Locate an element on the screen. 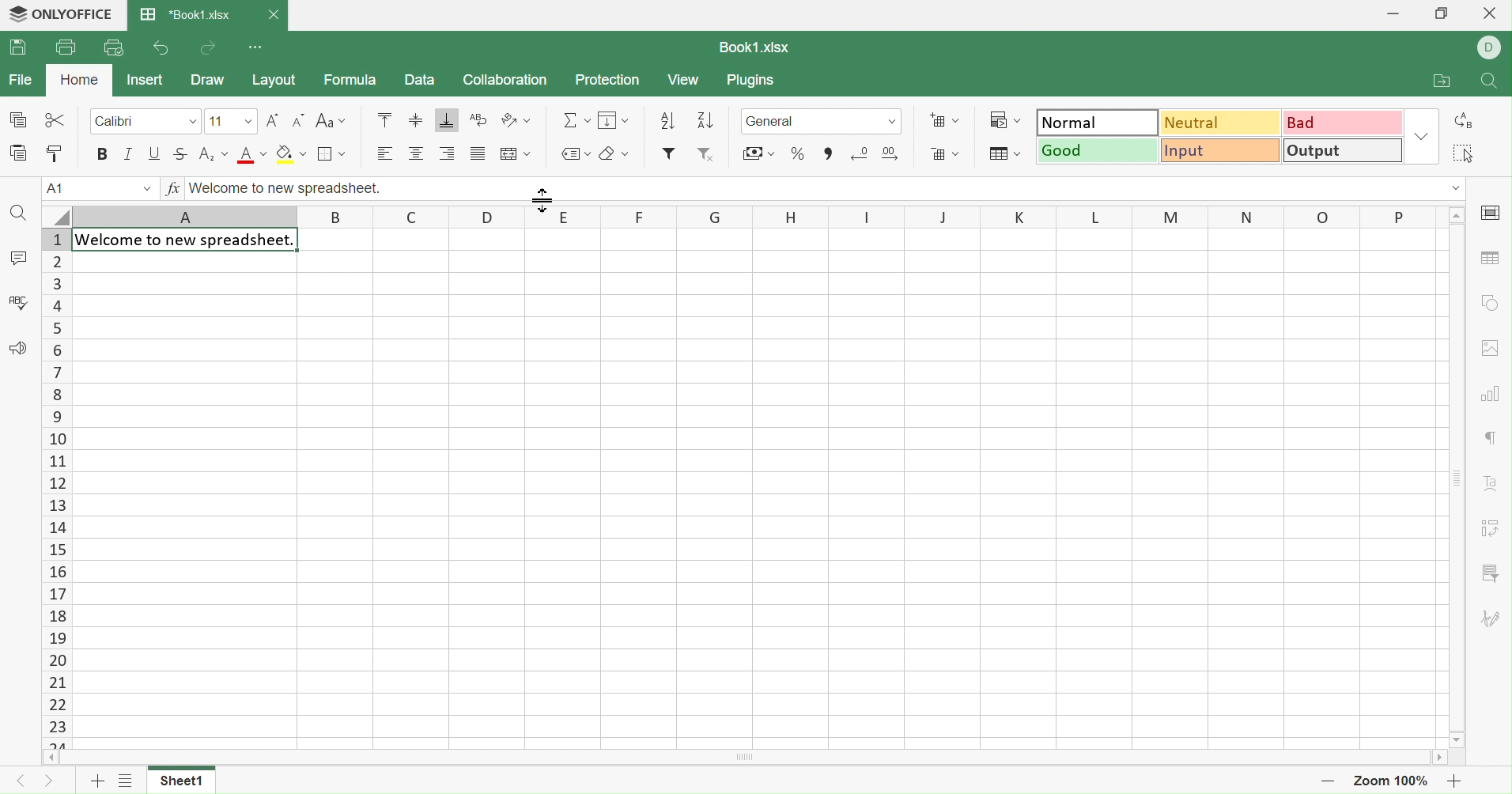  Align Left is located at coordinates (385, 153).